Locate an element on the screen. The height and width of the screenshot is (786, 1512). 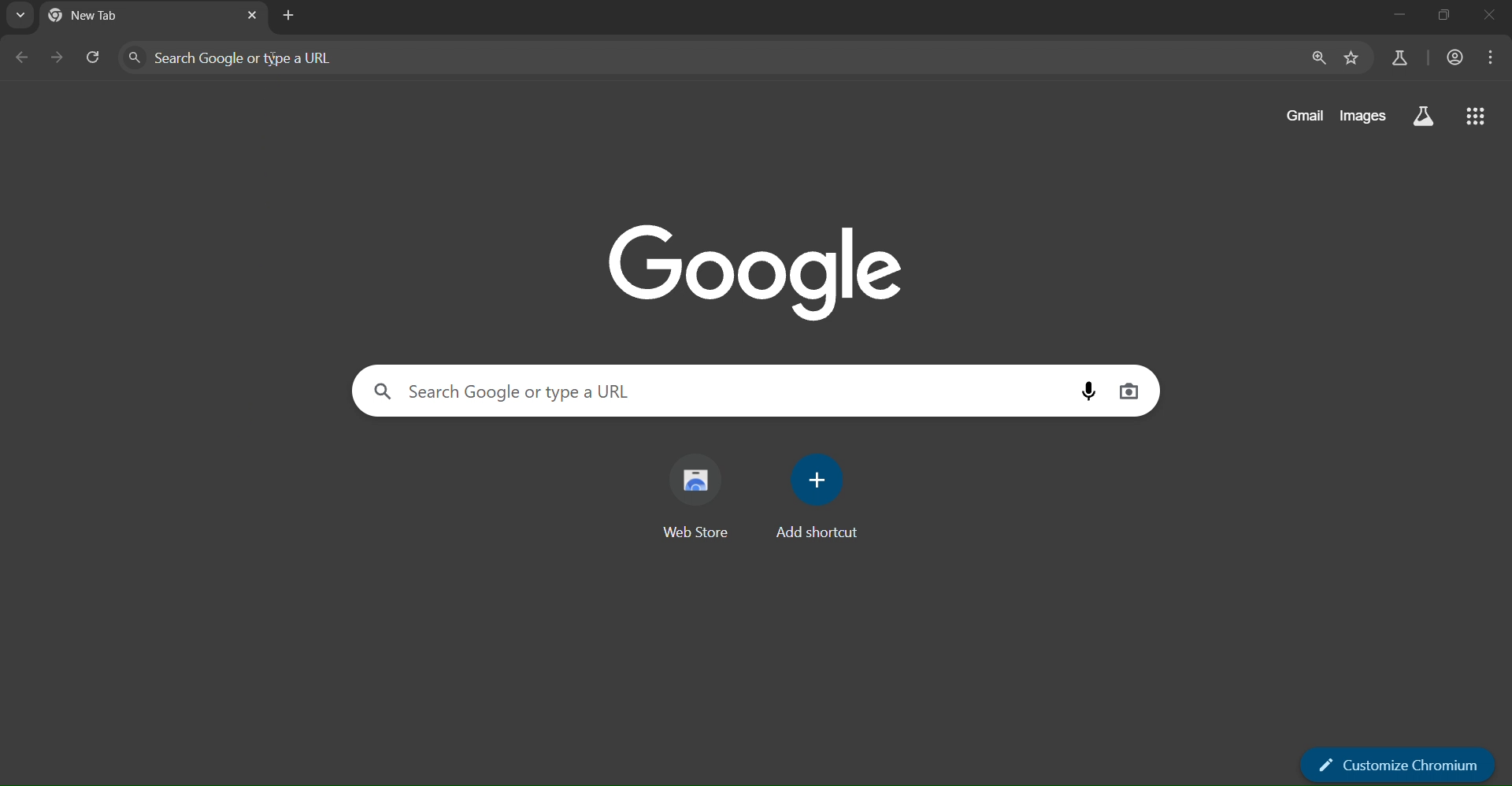
account is located at coordinates (1456, 57).